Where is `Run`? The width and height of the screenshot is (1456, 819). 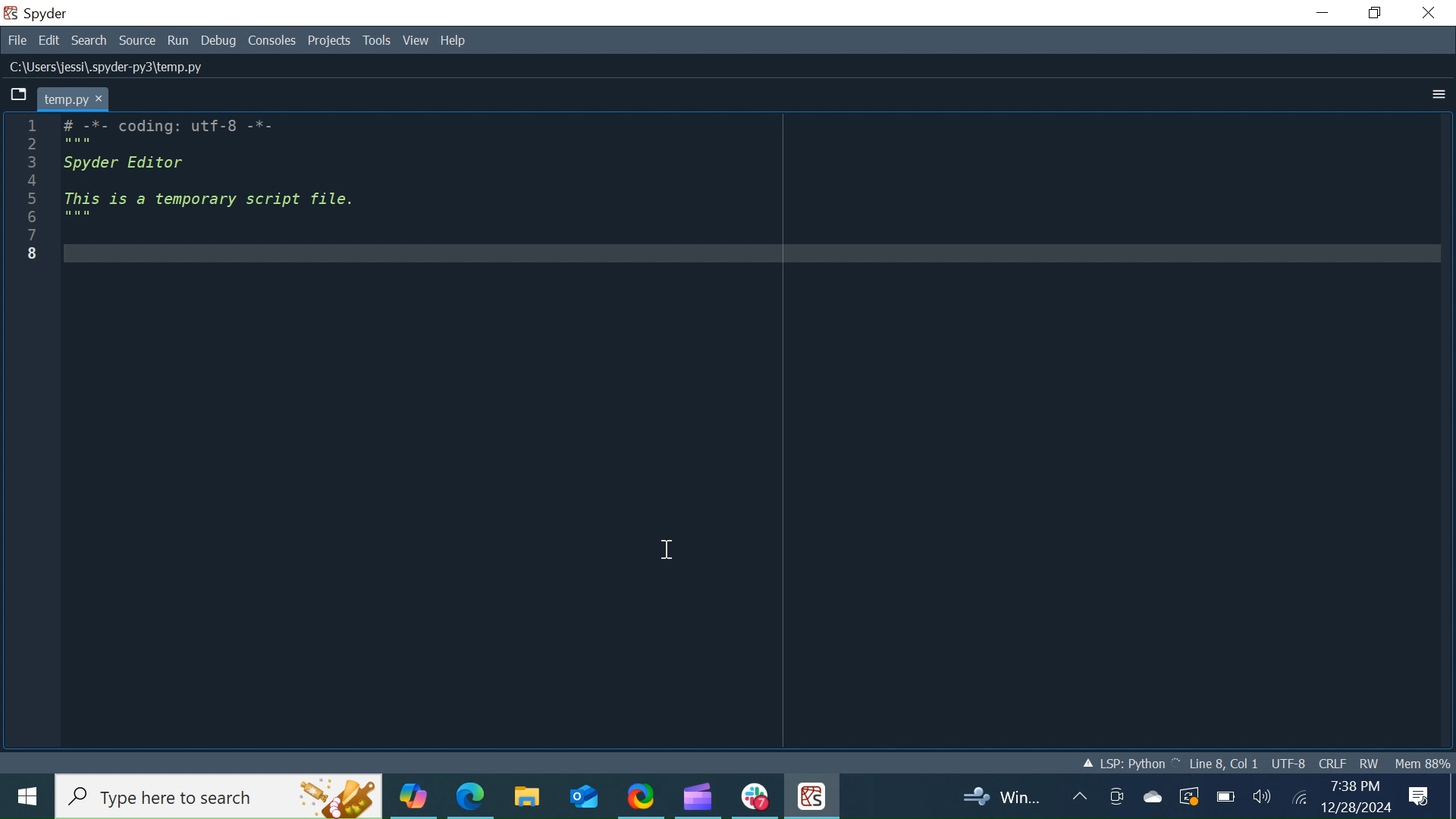 Run is located at coordinates (178, 42).